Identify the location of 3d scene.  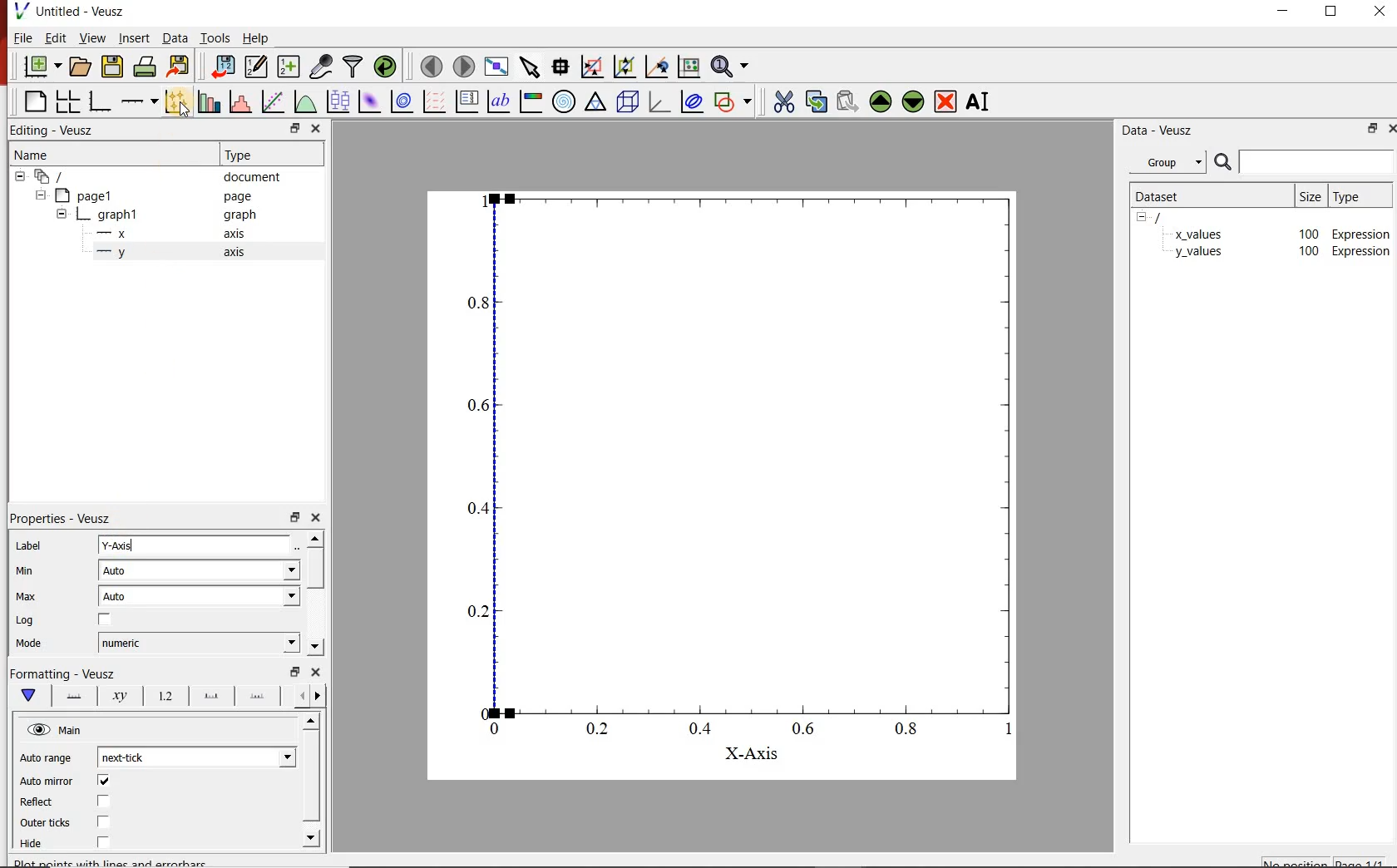
(629, 104).